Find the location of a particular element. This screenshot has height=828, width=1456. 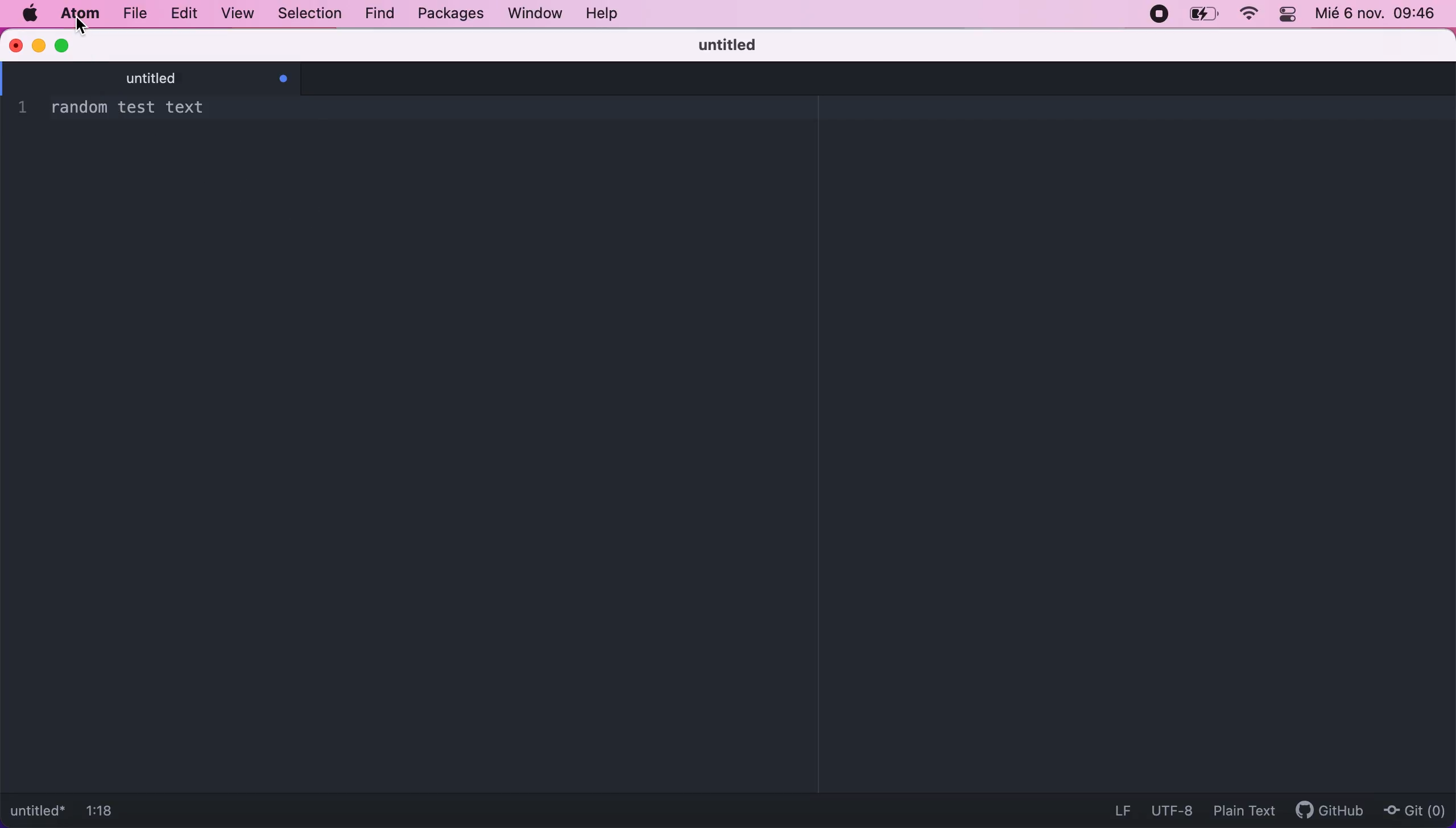

UTF-8 is located at coordinates (1172, 812).